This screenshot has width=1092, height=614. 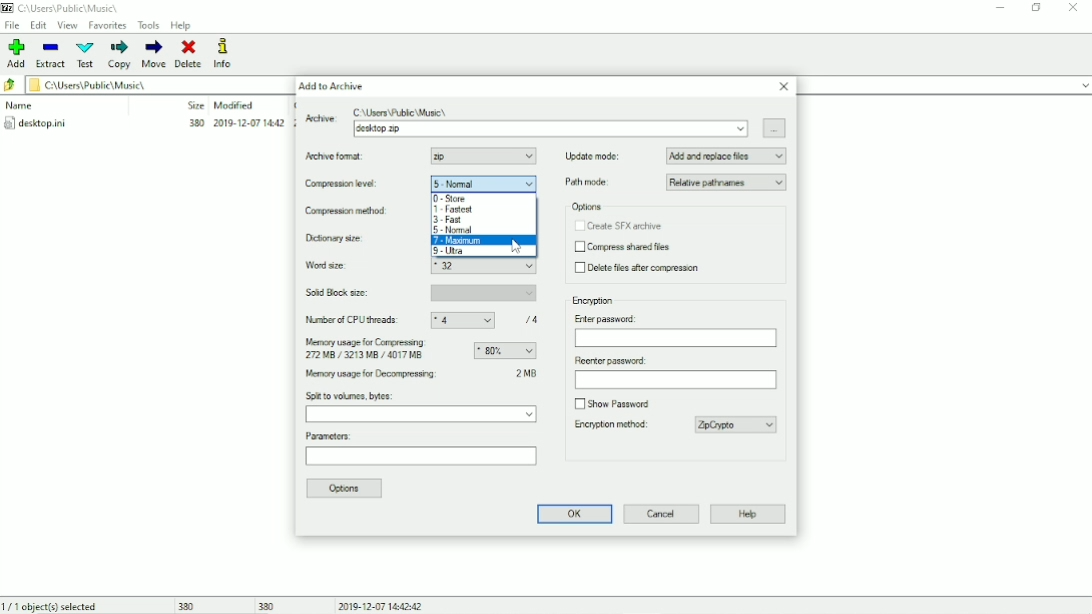 I want to click on desktop.ini, so click(x=147, y=125).